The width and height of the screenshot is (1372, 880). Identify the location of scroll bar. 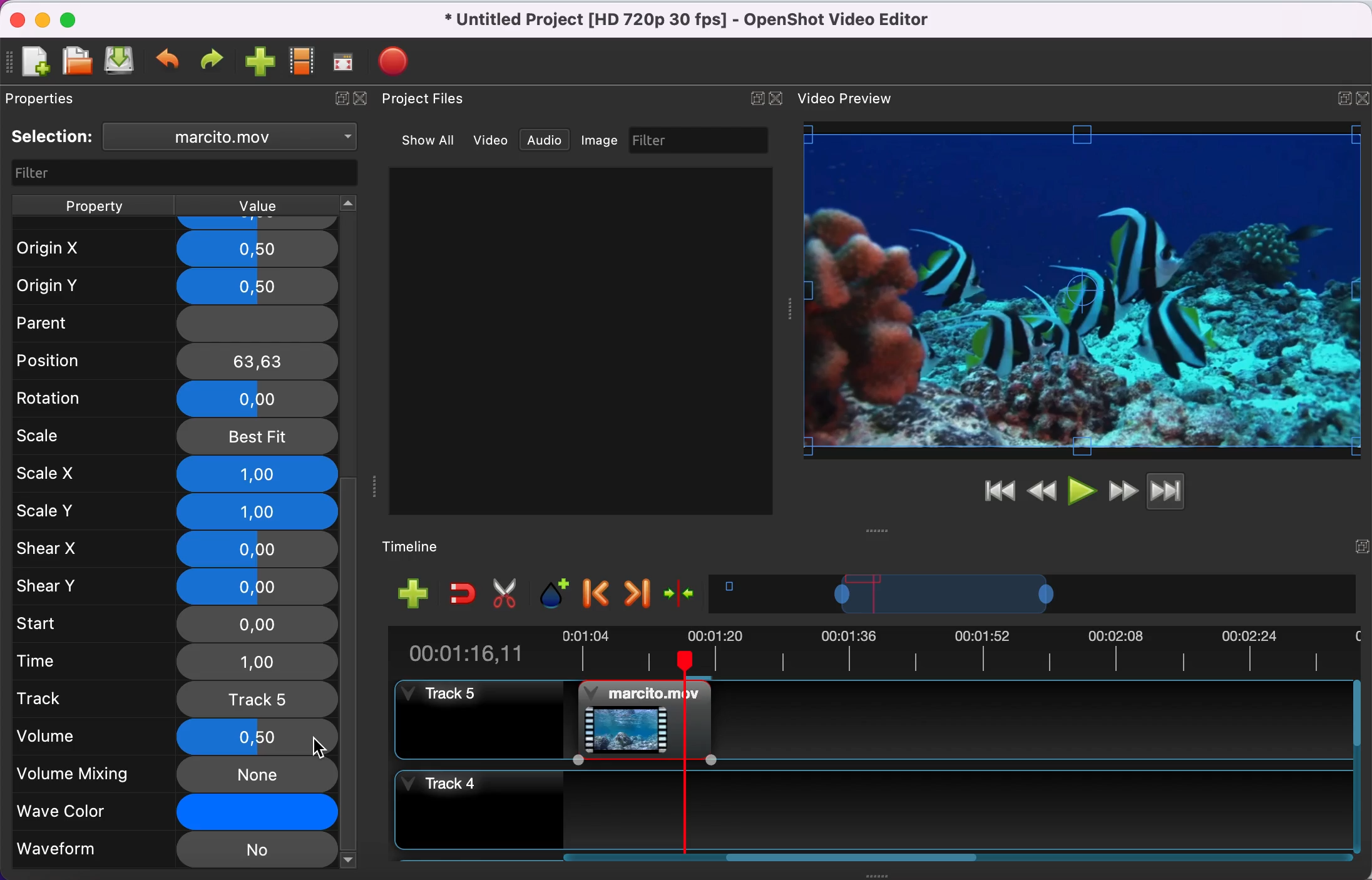
(863, 862).